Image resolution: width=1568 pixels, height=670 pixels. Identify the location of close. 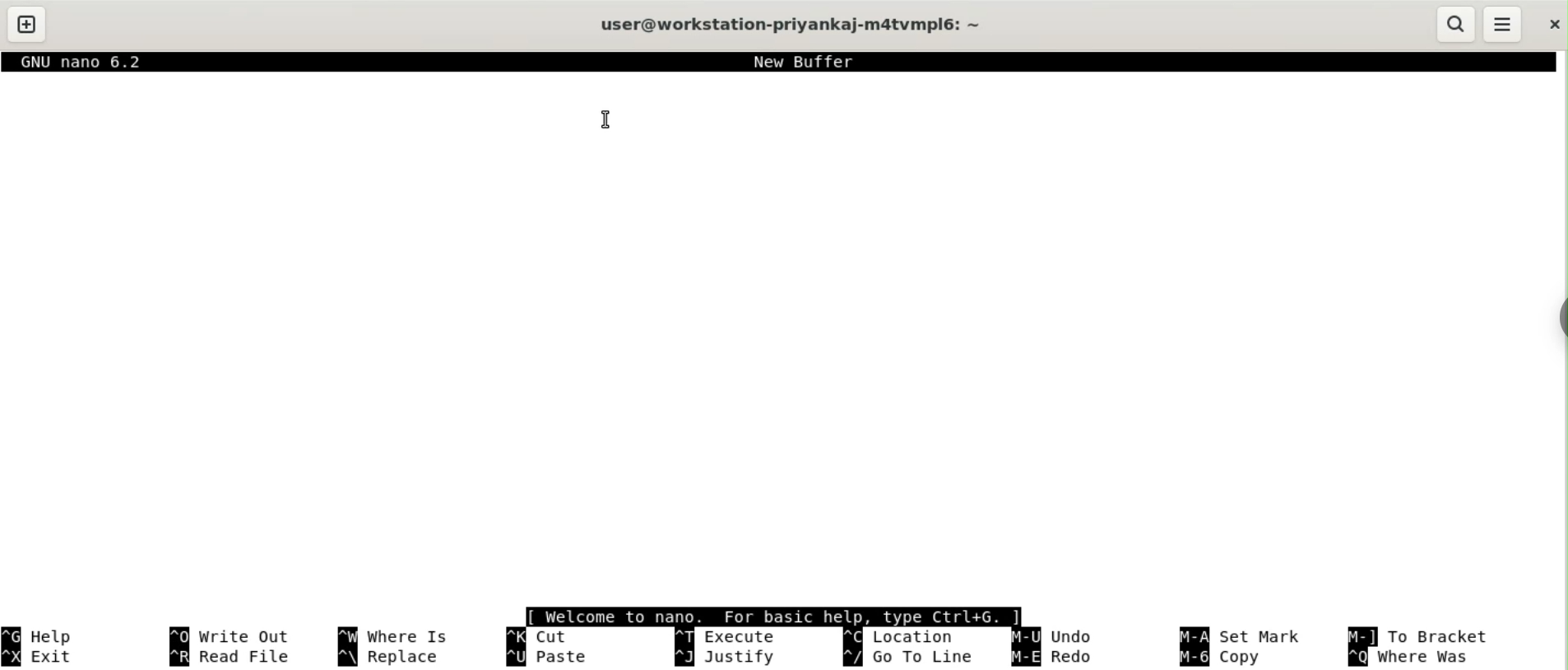
(1549, 25).